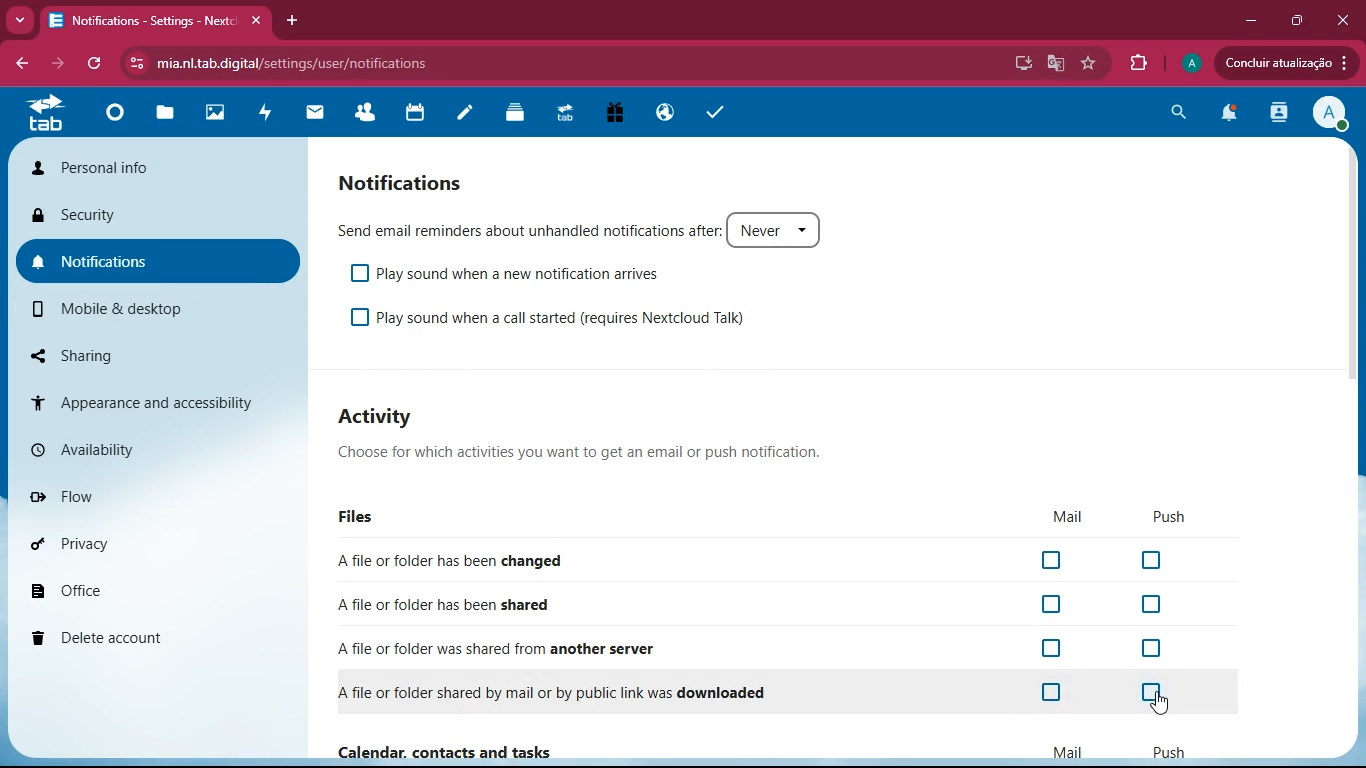 Image resolution: width=1366 pixels, height=768 pixels. I want to click on search, so click(1174, 115).